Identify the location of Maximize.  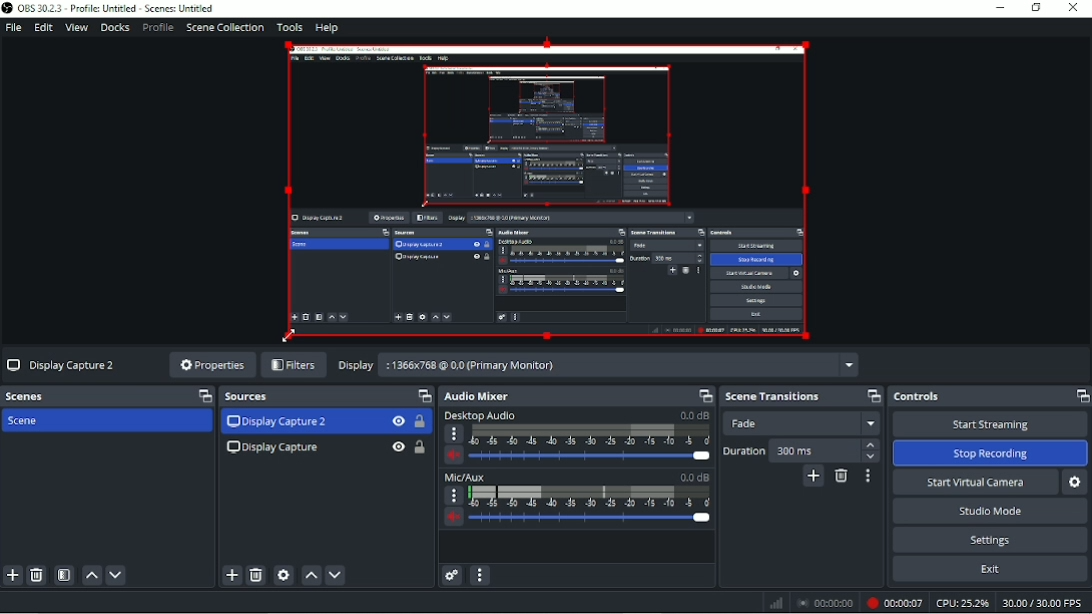
(870, 396).